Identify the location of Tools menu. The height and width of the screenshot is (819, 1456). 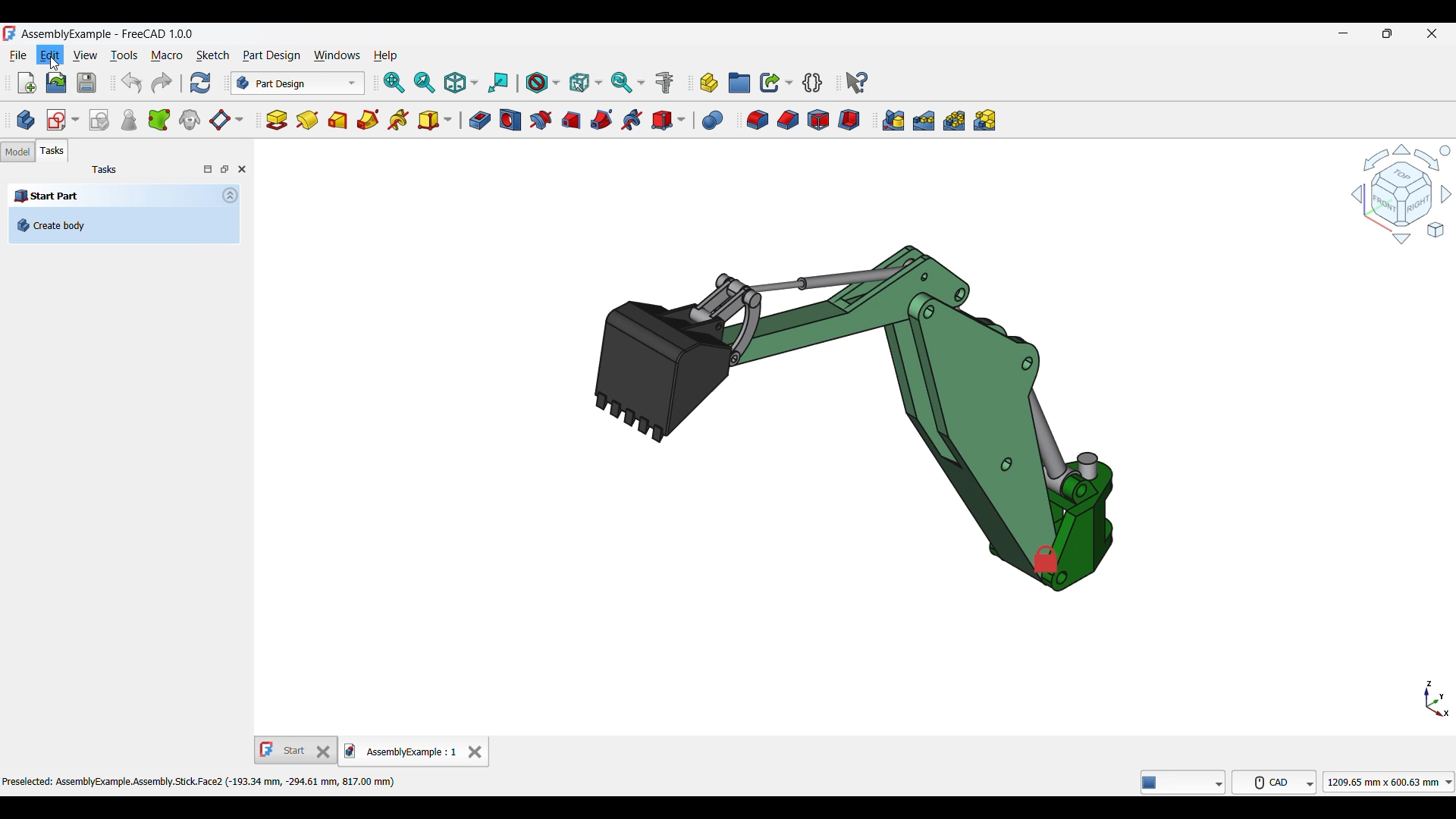
(124, 56).